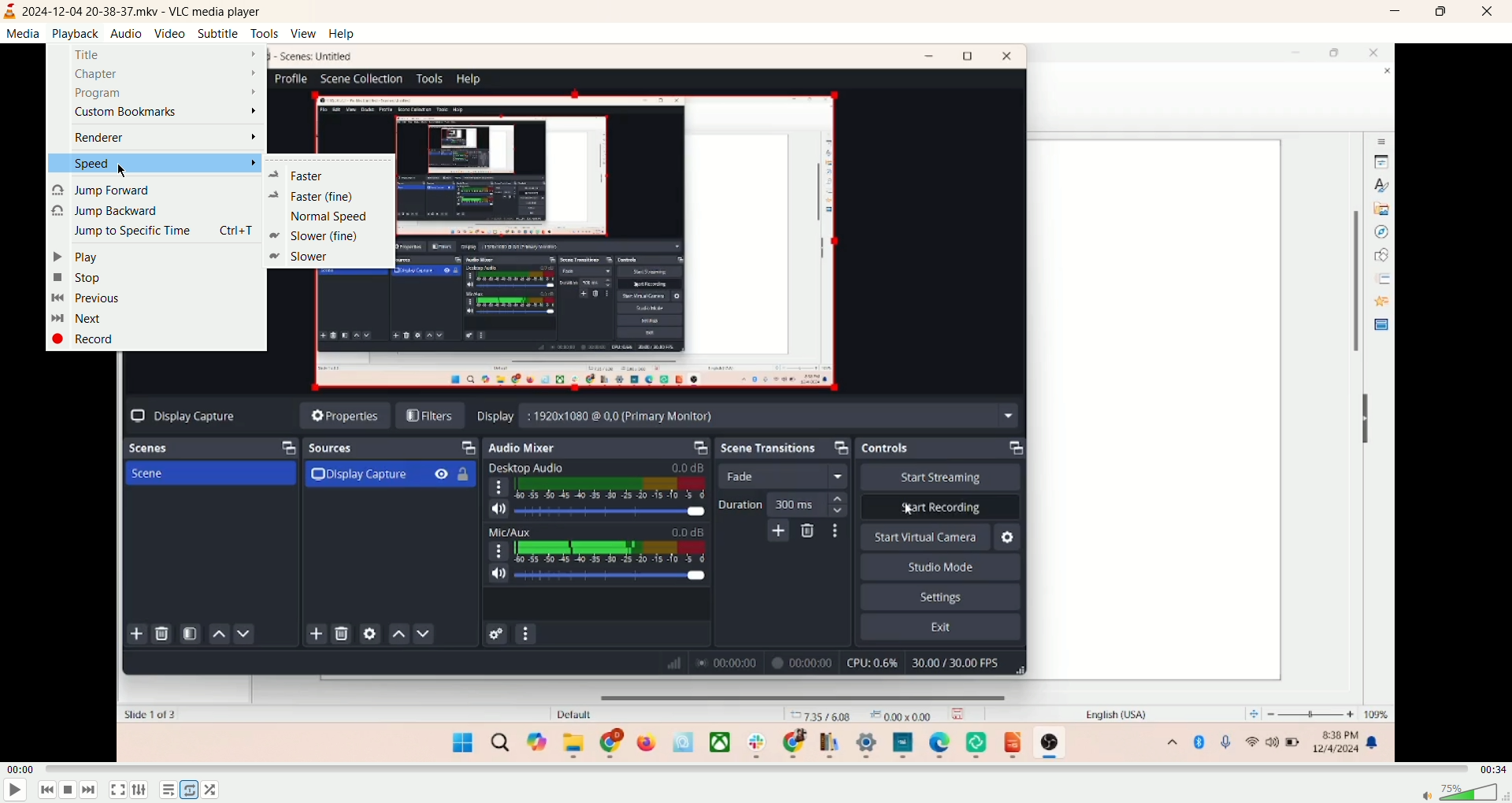  I want to click on Cursor, so click(122, 170).